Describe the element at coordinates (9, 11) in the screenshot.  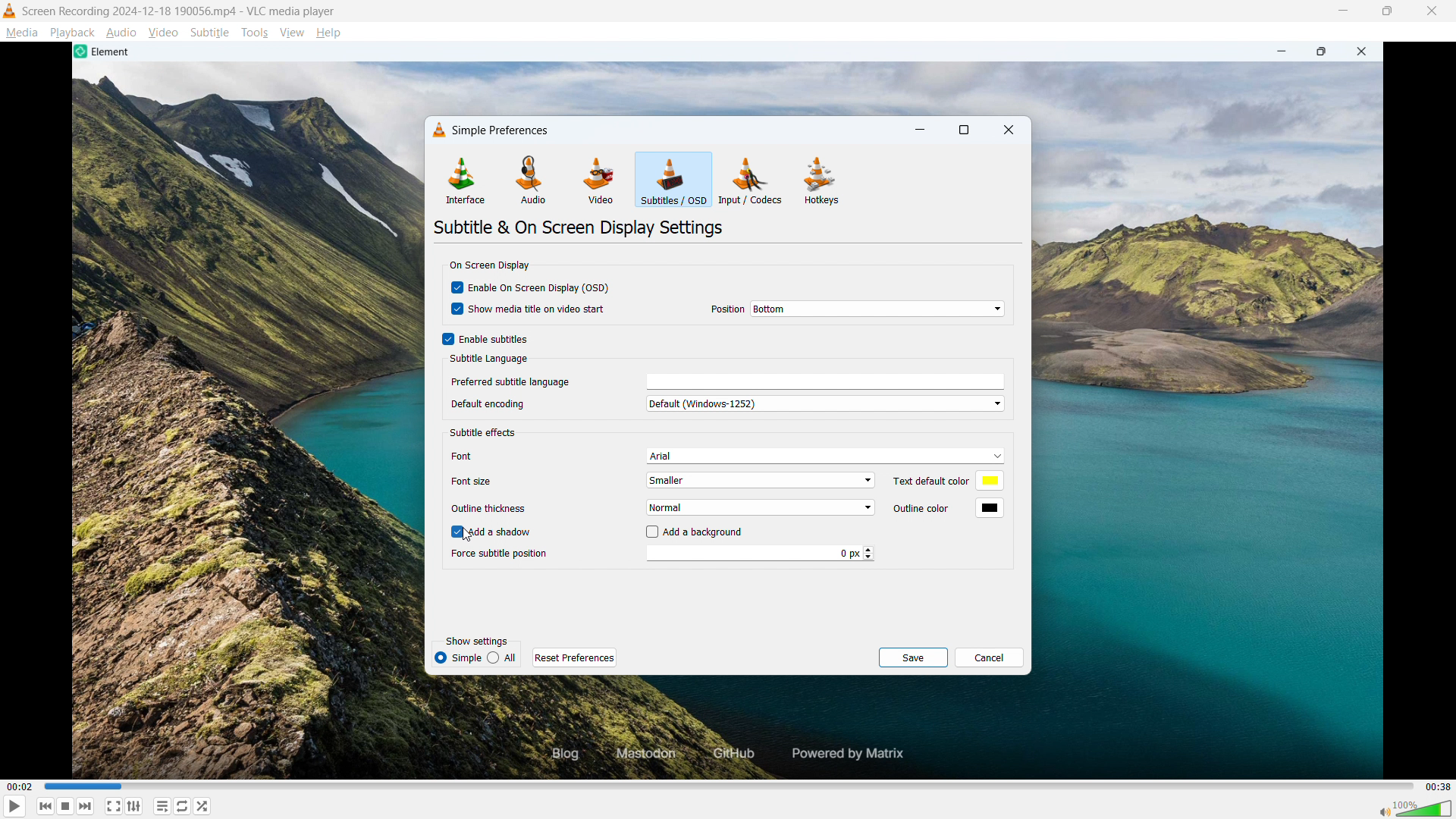
I see `VLC Logo ` at that location.